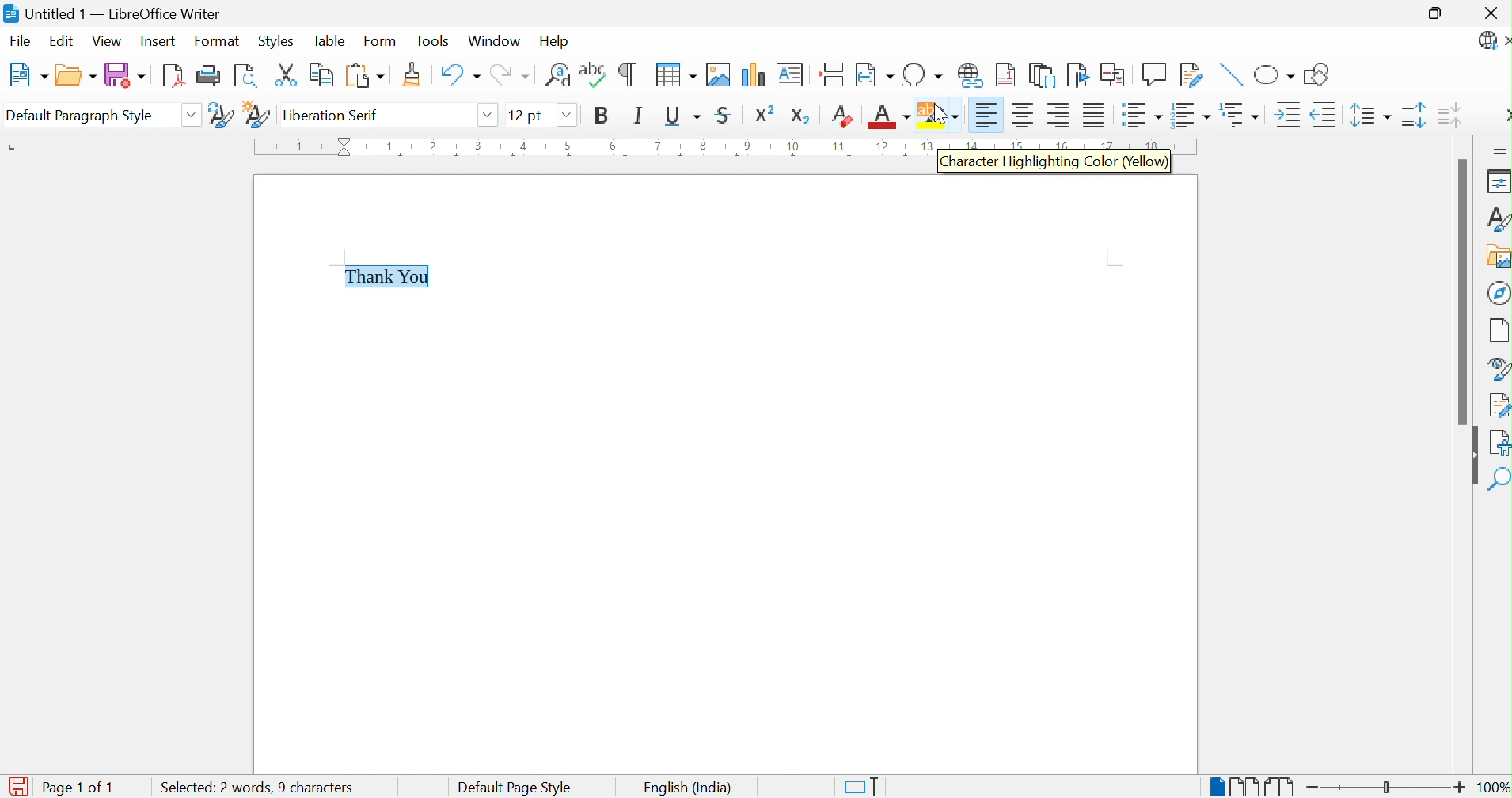  What do you see at coordinates (275, 40) in the screenshot?
I see `Styles` at bounding box center [275, 40].